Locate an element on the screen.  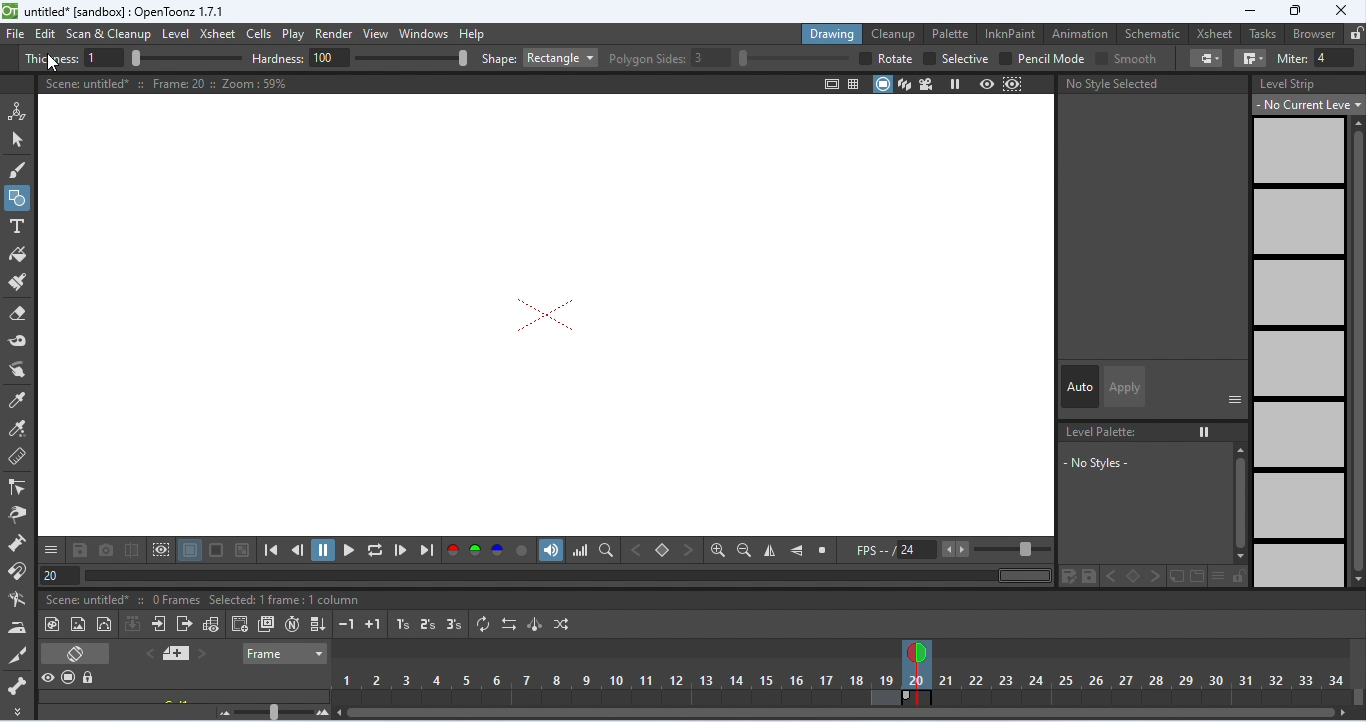
cap is located at coordinates (1205, 58).